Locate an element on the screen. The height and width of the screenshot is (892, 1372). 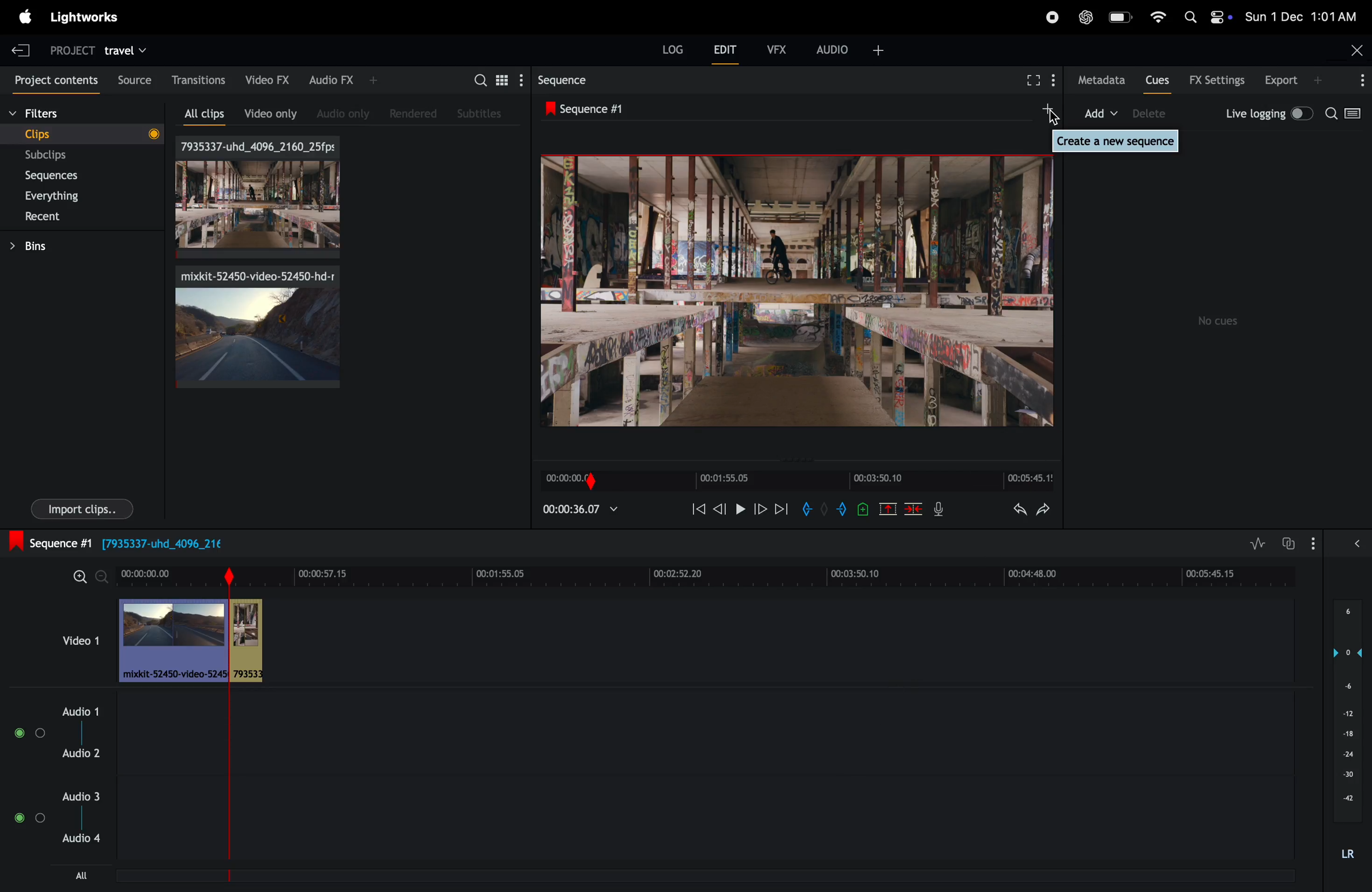
rendered is located at coordinates (413, 113).